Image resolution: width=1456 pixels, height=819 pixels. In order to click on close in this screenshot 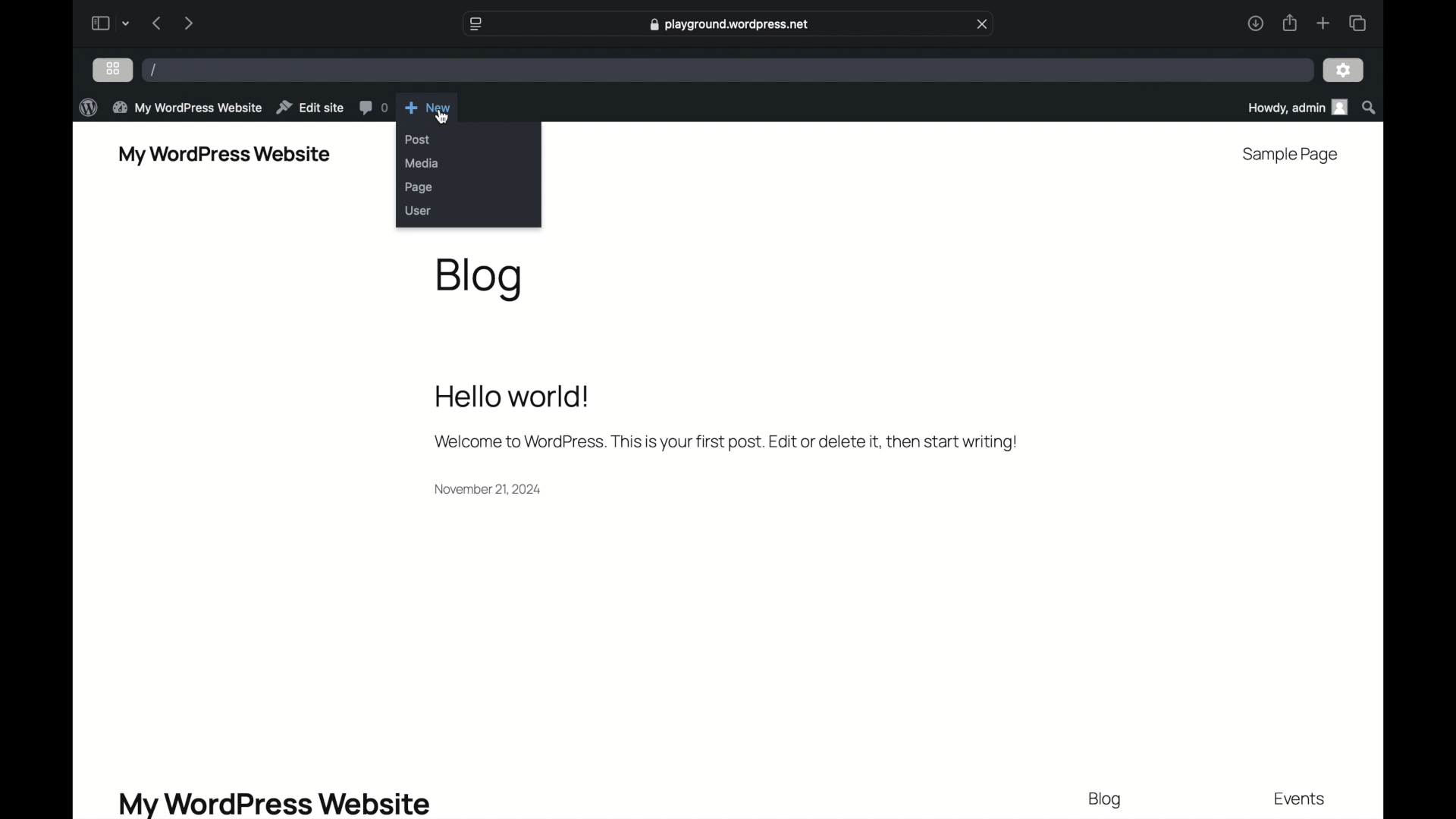, I will do `click(983, 24)`.